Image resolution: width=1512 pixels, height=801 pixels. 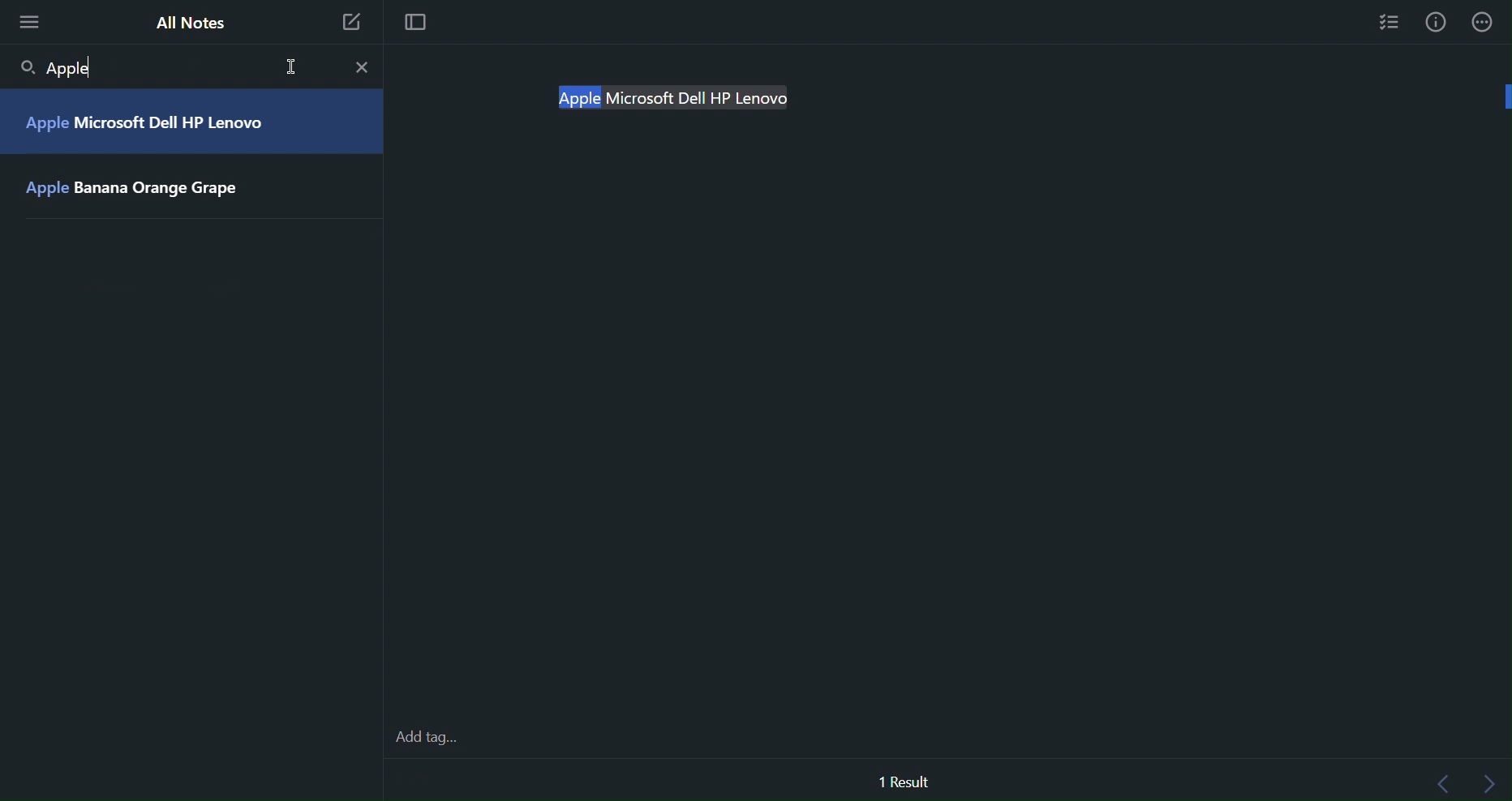 I want to click on Apple, so click(x=576, y=96).